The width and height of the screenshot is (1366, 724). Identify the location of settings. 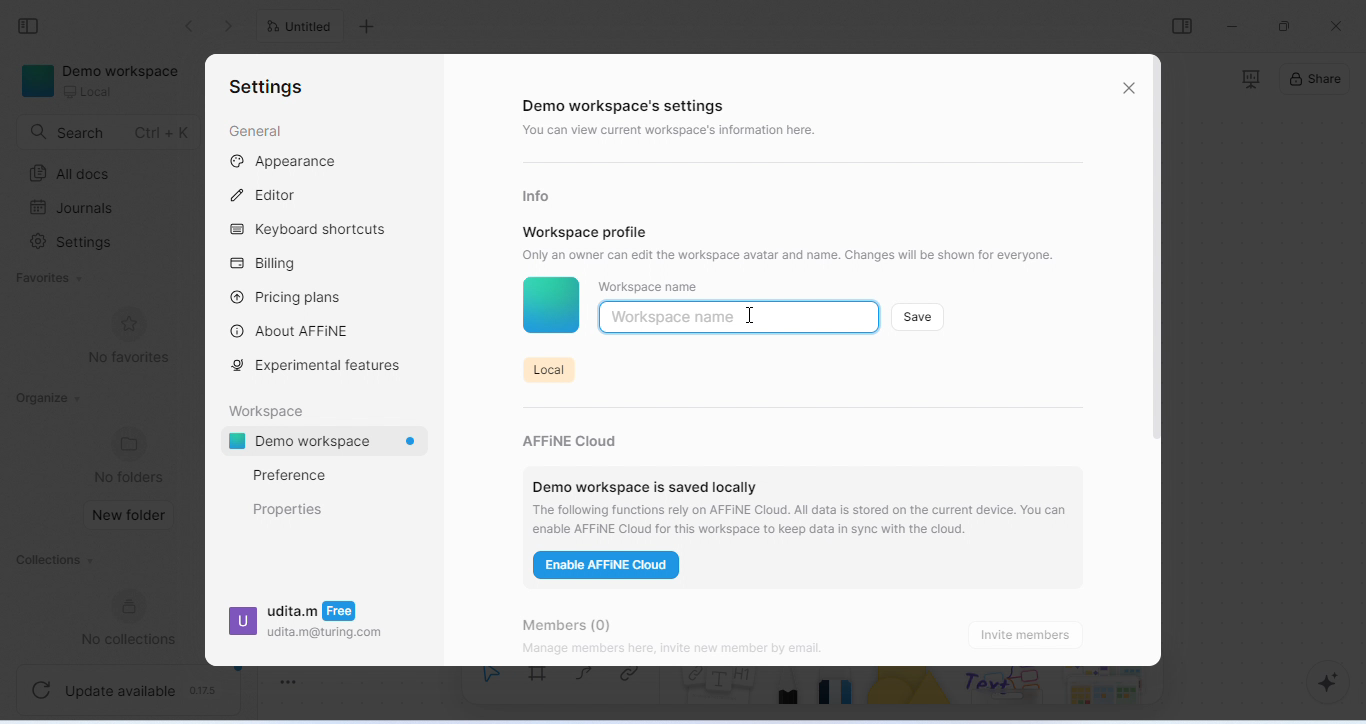
(75, 244).